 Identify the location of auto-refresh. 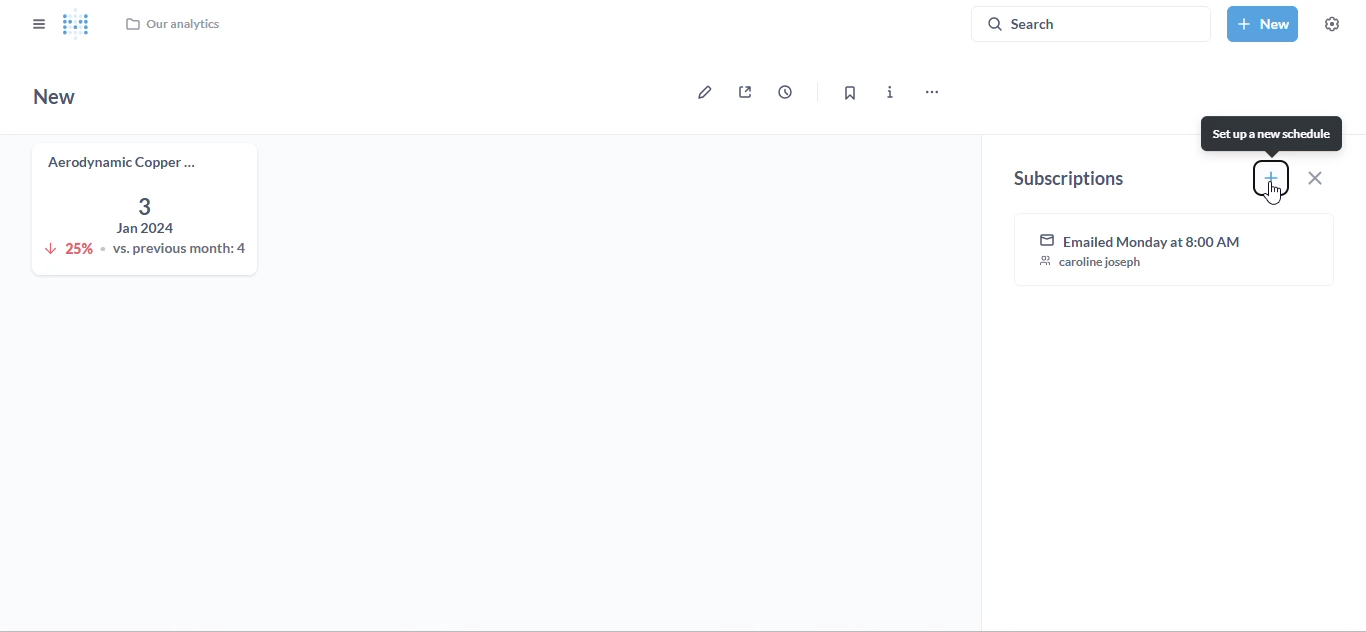
(785, 91).